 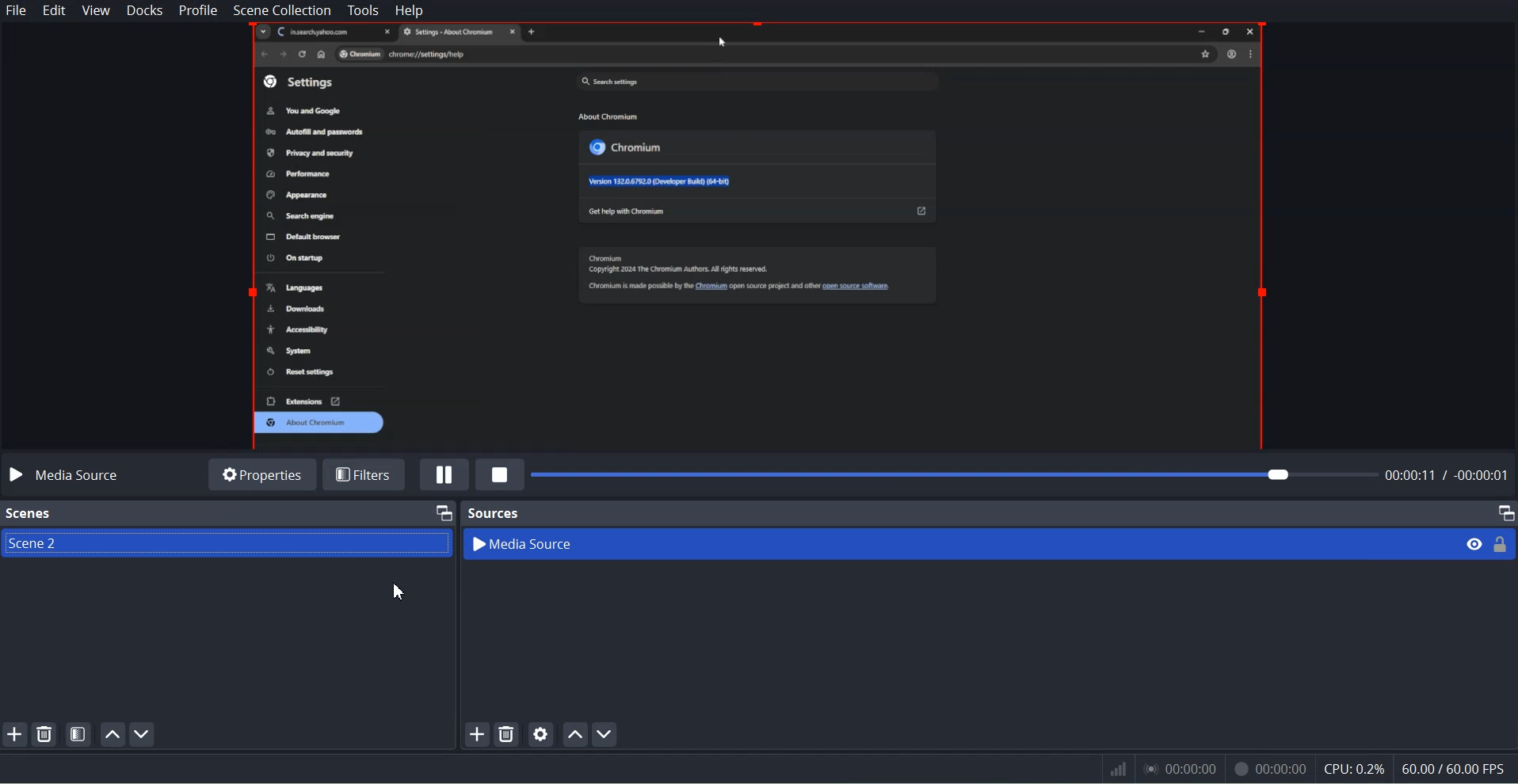 I want to click on Media Source, so click(x=957, y=543).